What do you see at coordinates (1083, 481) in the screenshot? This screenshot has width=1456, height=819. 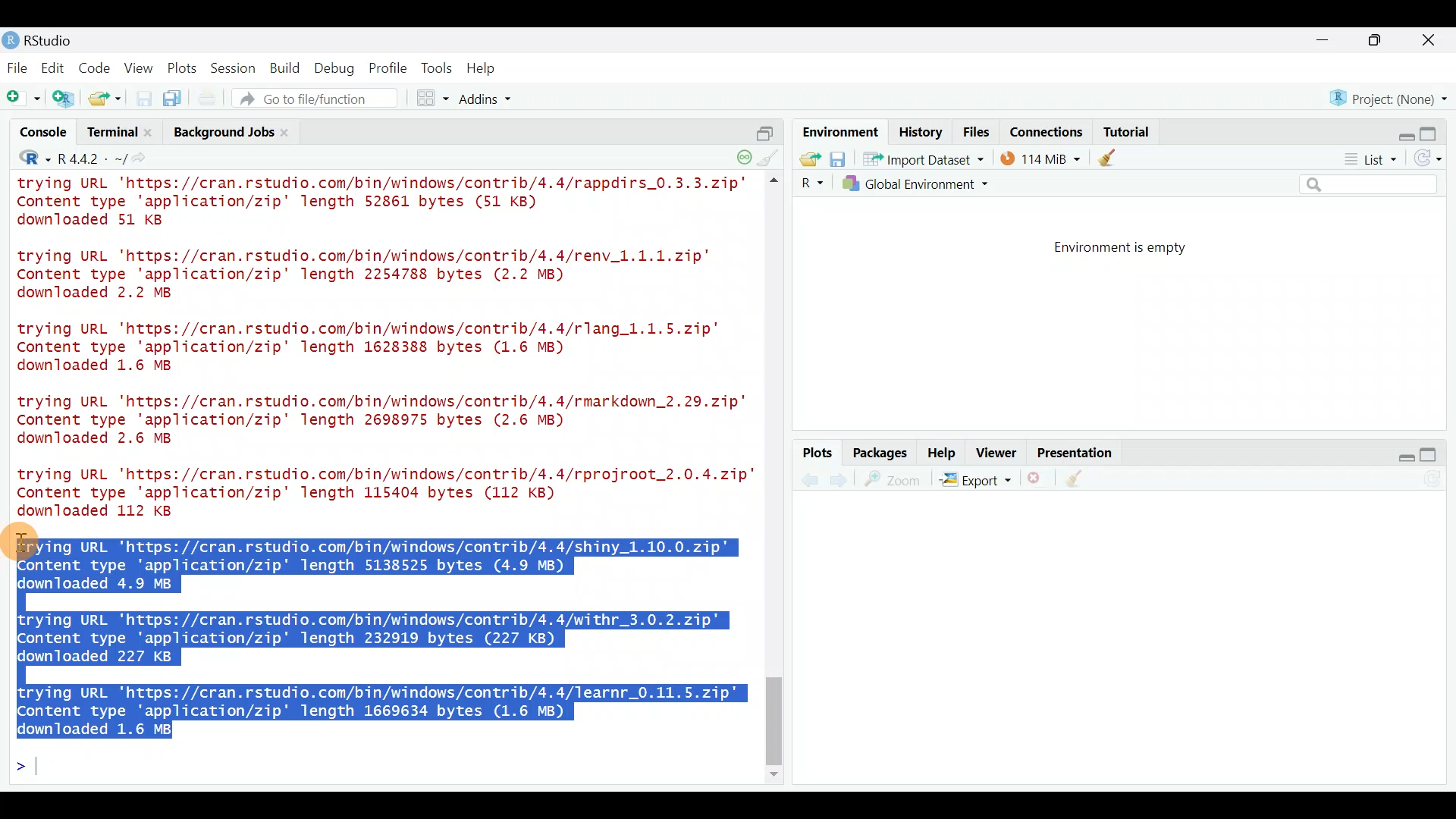 I see `clear all plots` at bounding box center [1083, 481].